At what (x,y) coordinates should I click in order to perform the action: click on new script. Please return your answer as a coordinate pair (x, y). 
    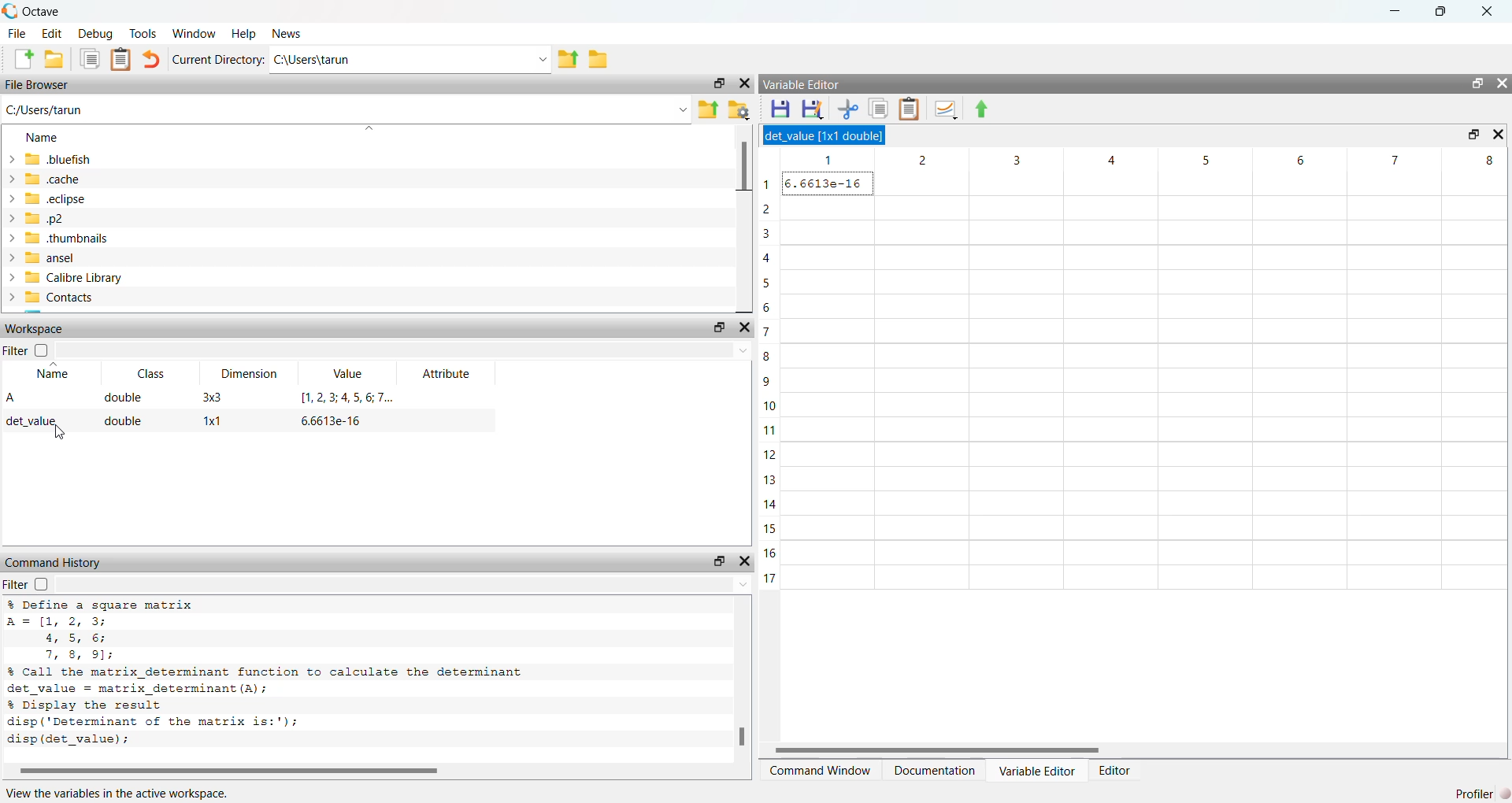
    Looking at the image, I should click on (24, 60).